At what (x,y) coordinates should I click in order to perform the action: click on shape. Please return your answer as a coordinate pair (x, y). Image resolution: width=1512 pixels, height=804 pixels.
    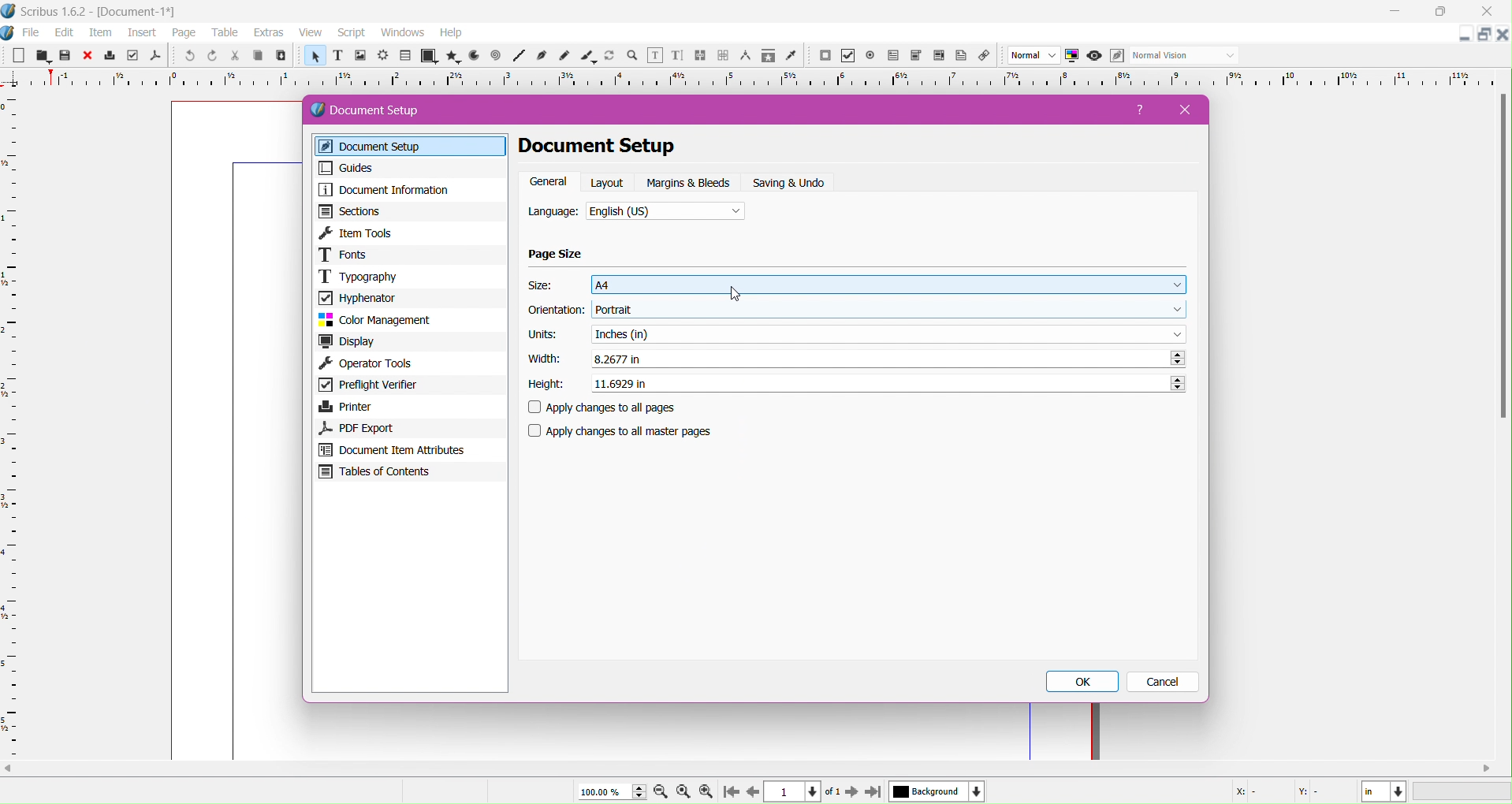
    Looking at the image, I should click on (427, 57).